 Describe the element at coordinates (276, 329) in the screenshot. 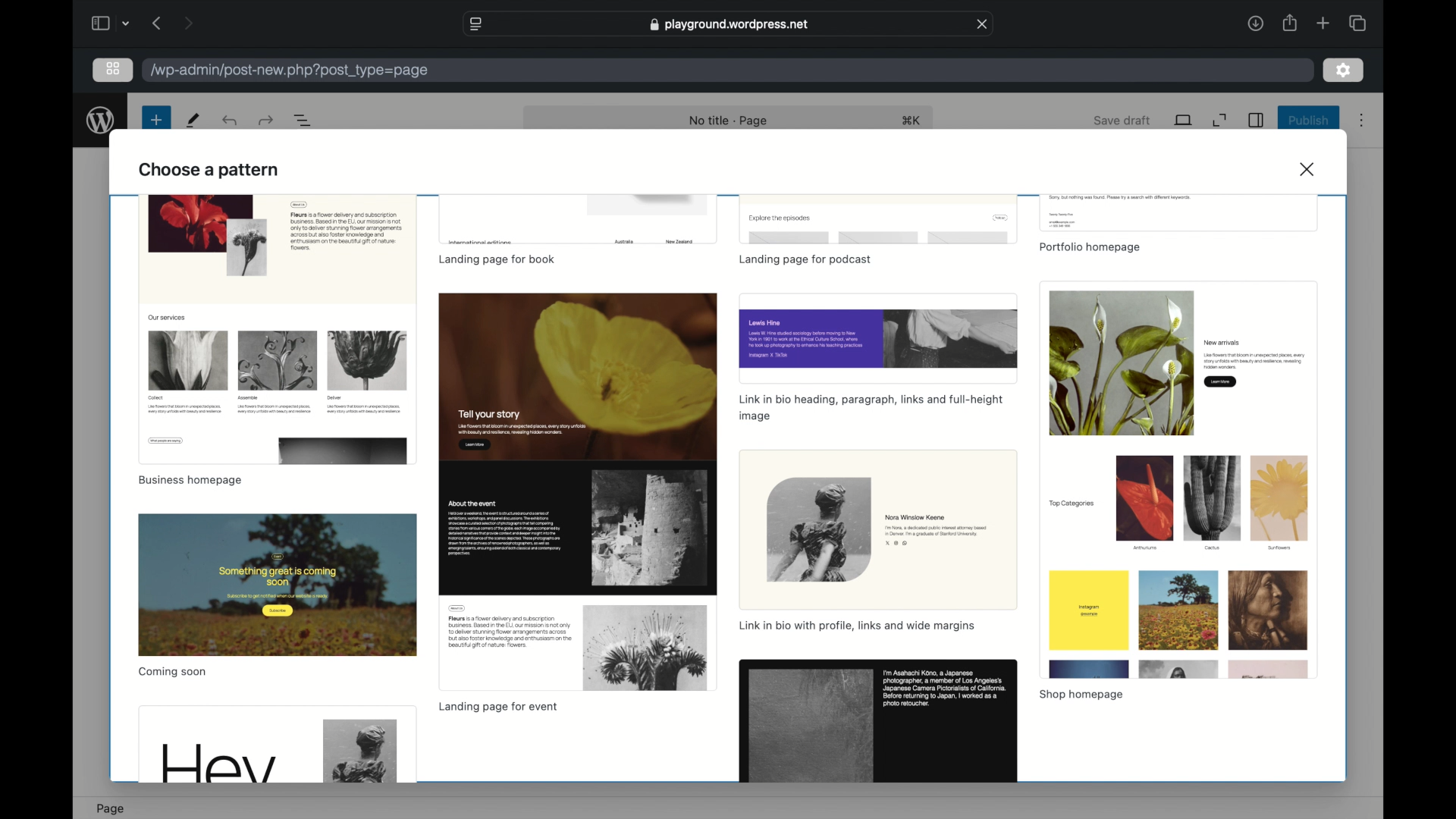

I see `preview` at that location.